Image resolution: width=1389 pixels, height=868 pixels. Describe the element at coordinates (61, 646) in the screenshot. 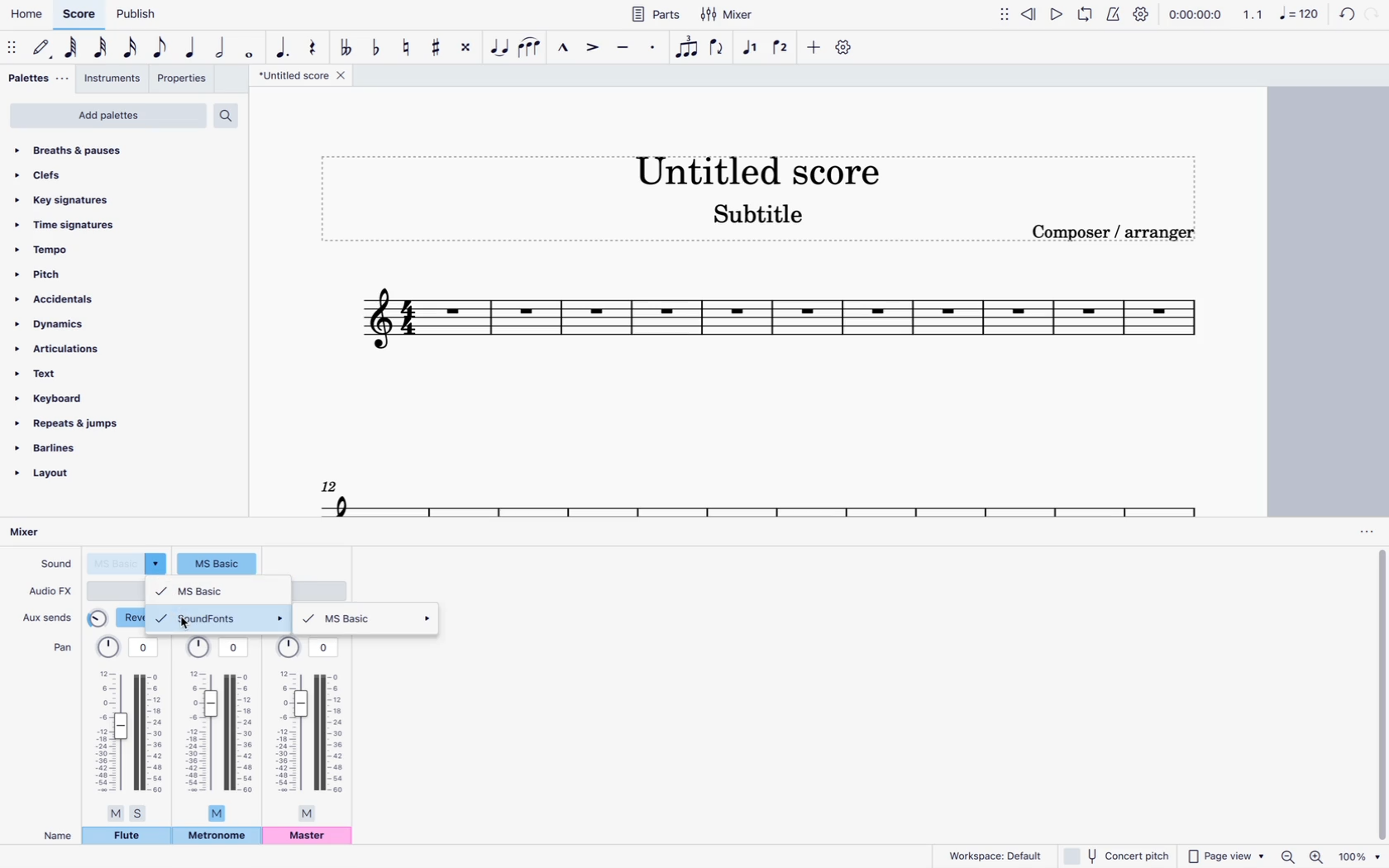

I see `pan` at that location.